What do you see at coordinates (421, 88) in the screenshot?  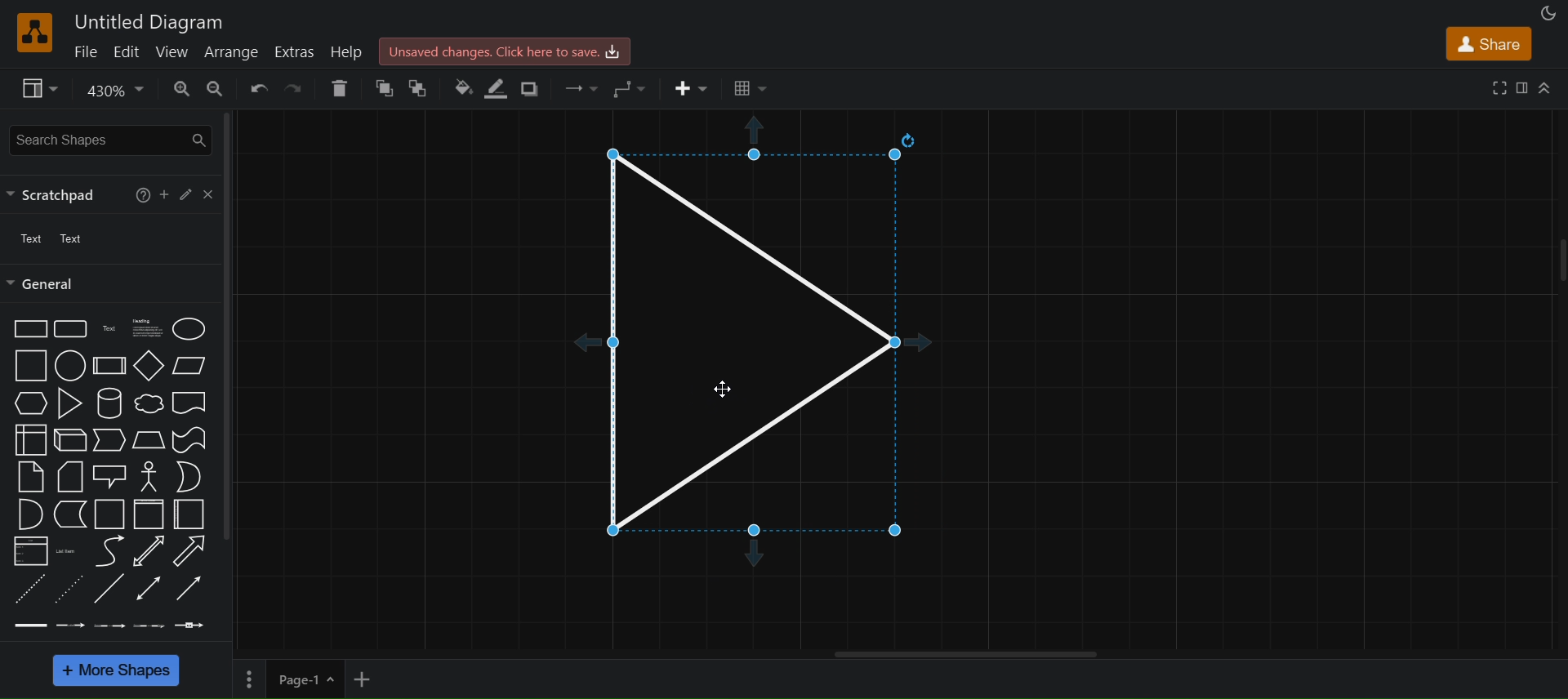 I see `To back` at bounding box center [421, 88].